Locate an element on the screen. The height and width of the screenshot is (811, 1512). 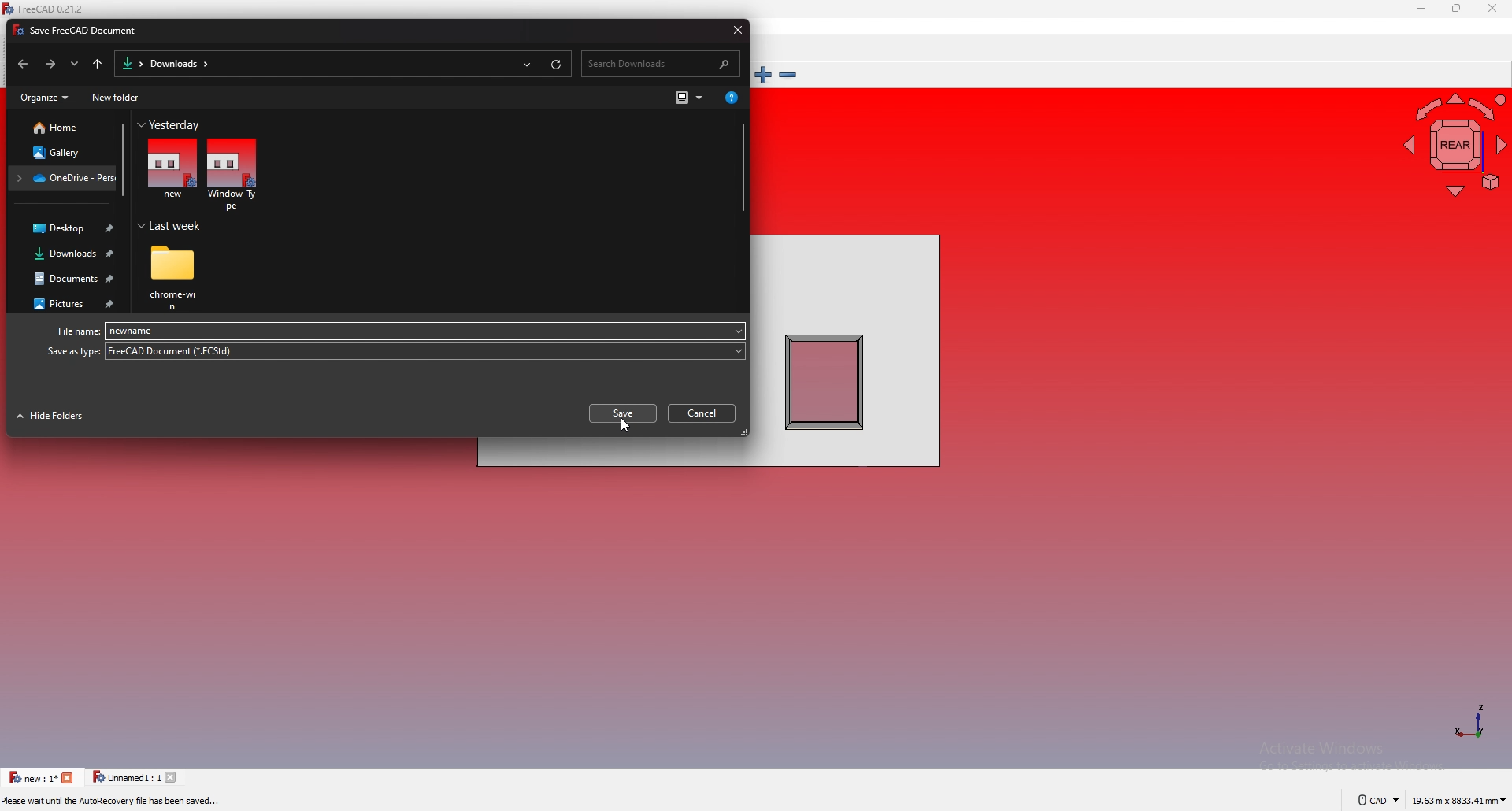
FreeCAD 0.21.2 is located at coordinates (52, 9).